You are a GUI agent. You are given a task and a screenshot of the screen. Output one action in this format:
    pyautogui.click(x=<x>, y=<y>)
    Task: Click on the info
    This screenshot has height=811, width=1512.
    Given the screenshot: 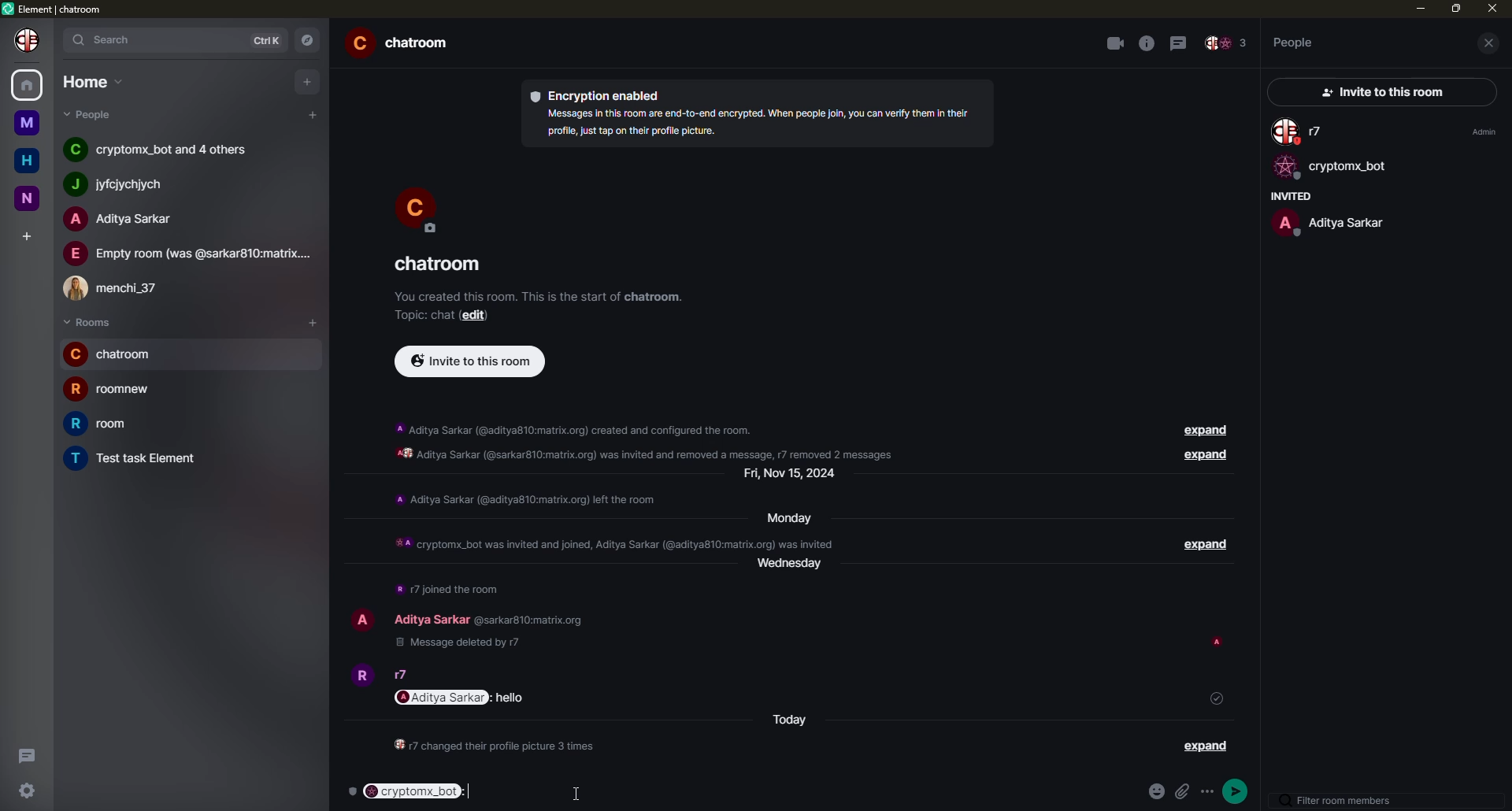 What is the action you would take?
    pyautogui.click(x=652, y=441)
    